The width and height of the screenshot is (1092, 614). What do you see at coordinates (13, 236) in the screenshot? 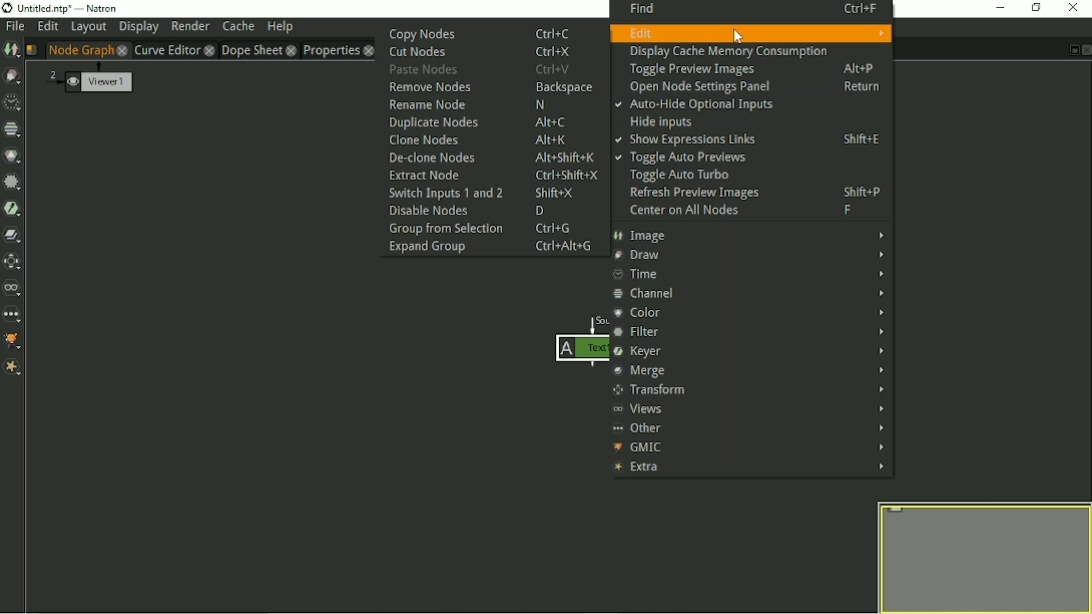
I see `Merge` at bounding box center [13, 236].